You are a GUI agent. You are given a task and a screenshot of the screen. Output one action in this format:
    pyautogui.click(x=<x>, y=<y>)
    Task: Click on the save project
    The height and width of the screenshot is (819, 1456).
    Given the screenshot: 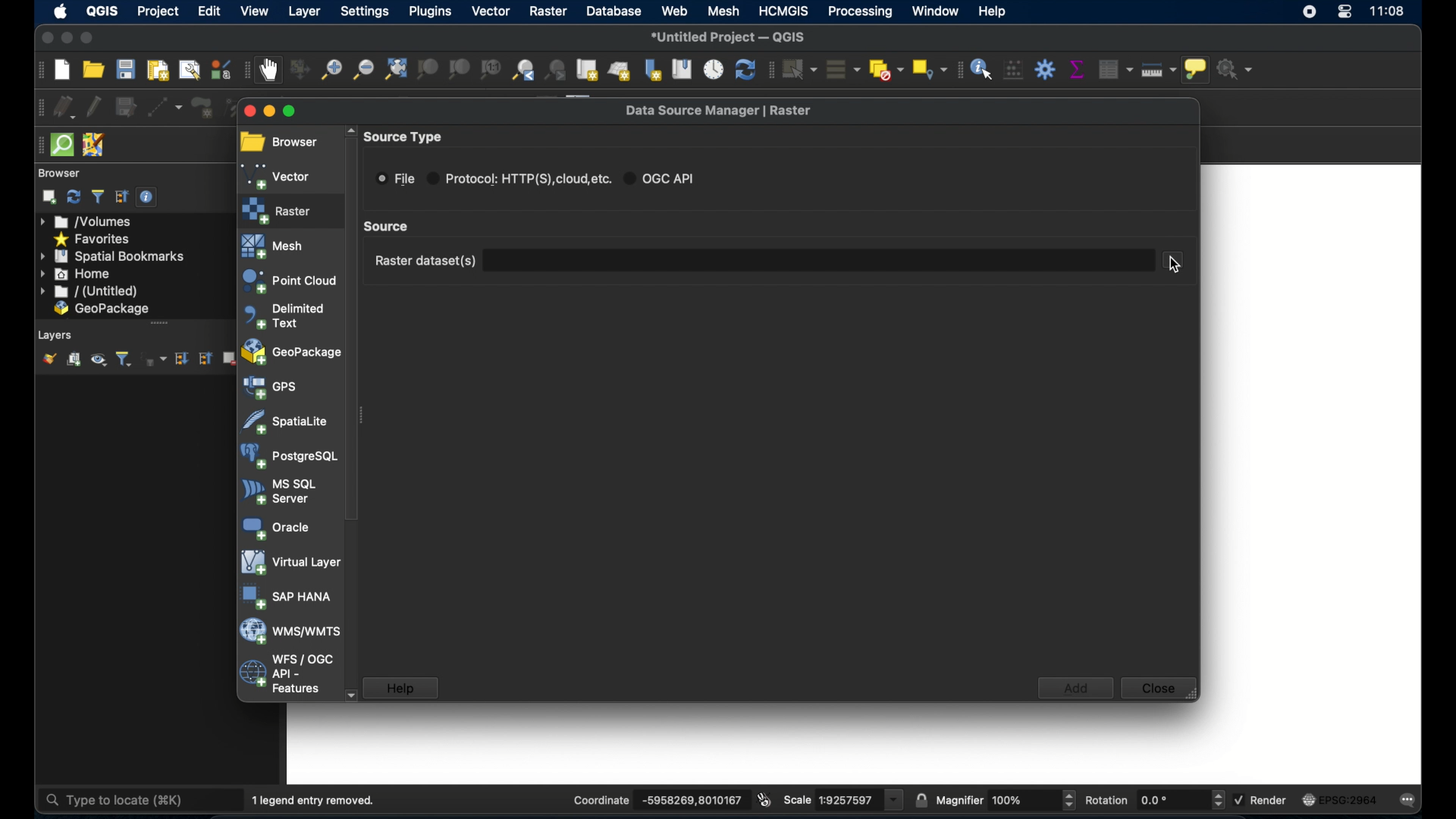 What is the action you would take?
    pyautogui.click(x=126, y=70)
    